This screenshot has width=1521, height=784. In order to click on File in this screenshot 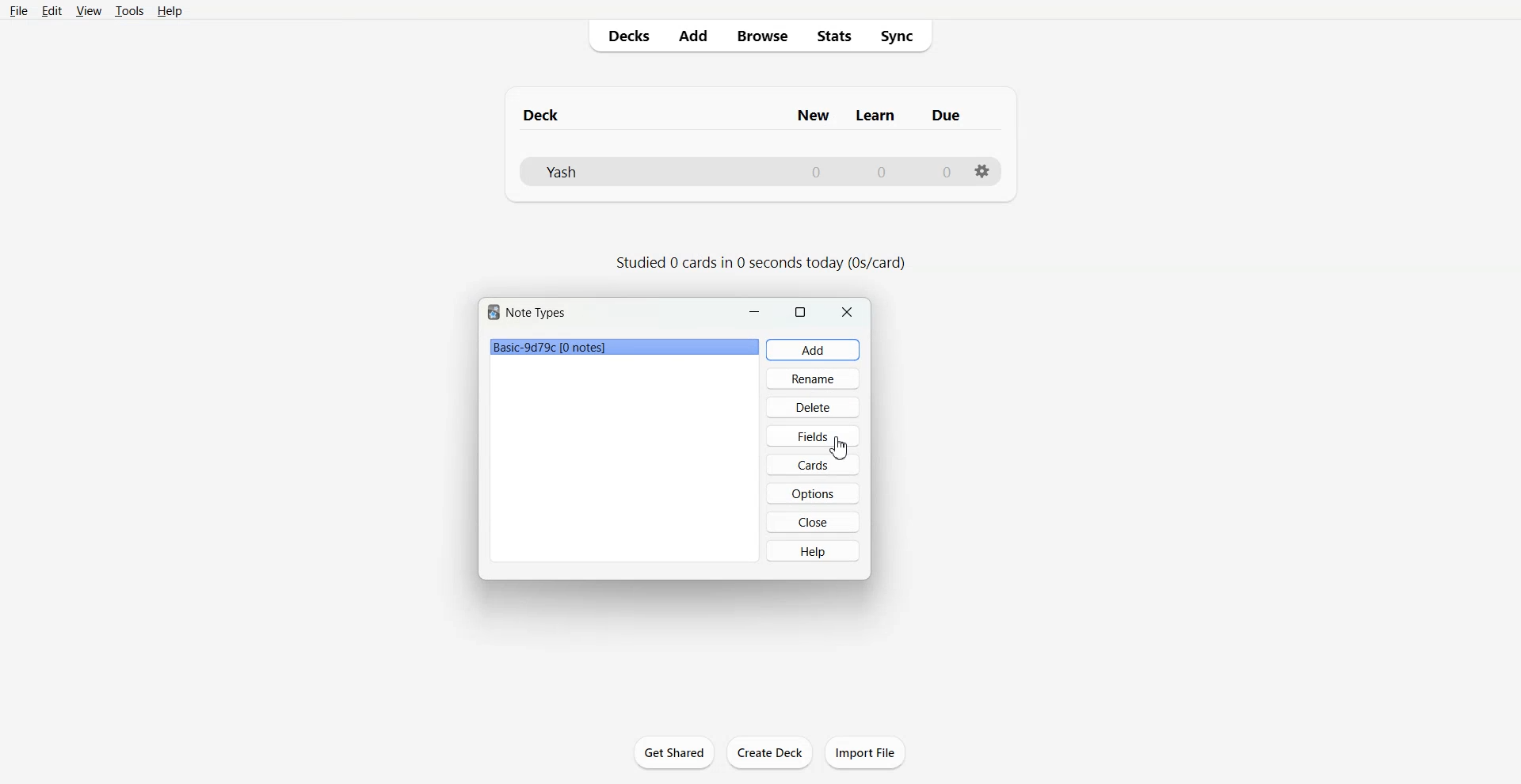, I will do `click(625, 347)`.